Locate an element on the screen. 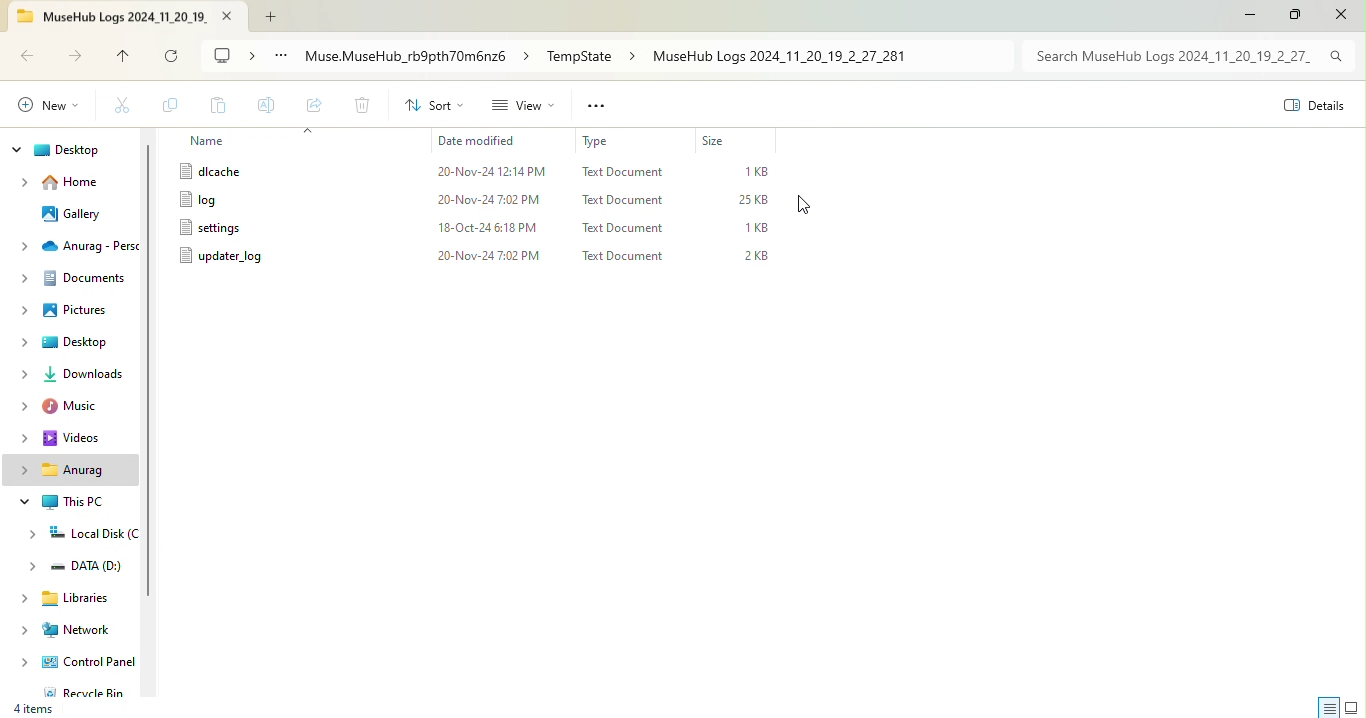  Control Panel is located at coordinates (76, 665).